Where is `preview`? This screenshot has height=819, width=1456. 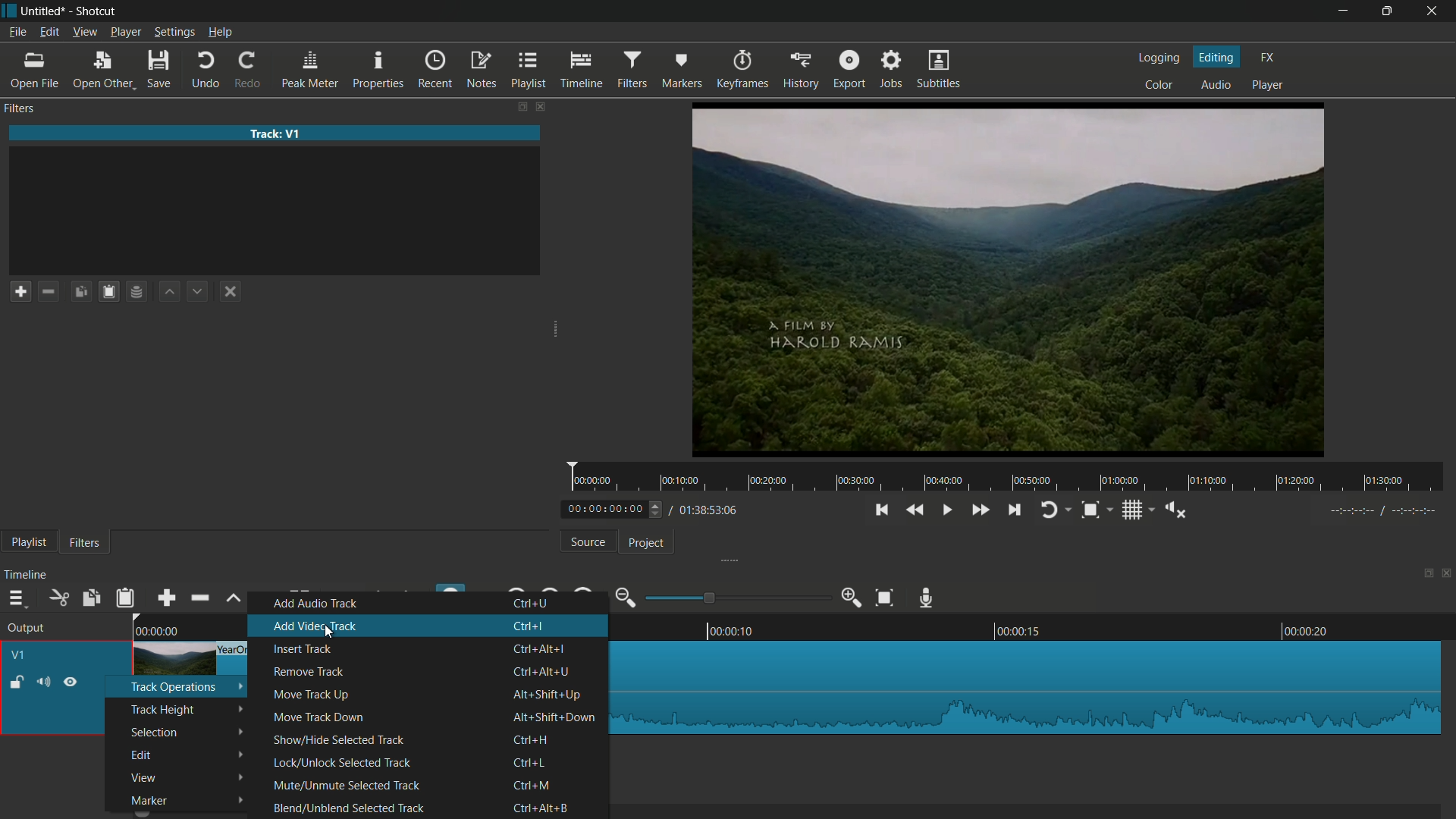 preview is located at coordinates (1011, 279).